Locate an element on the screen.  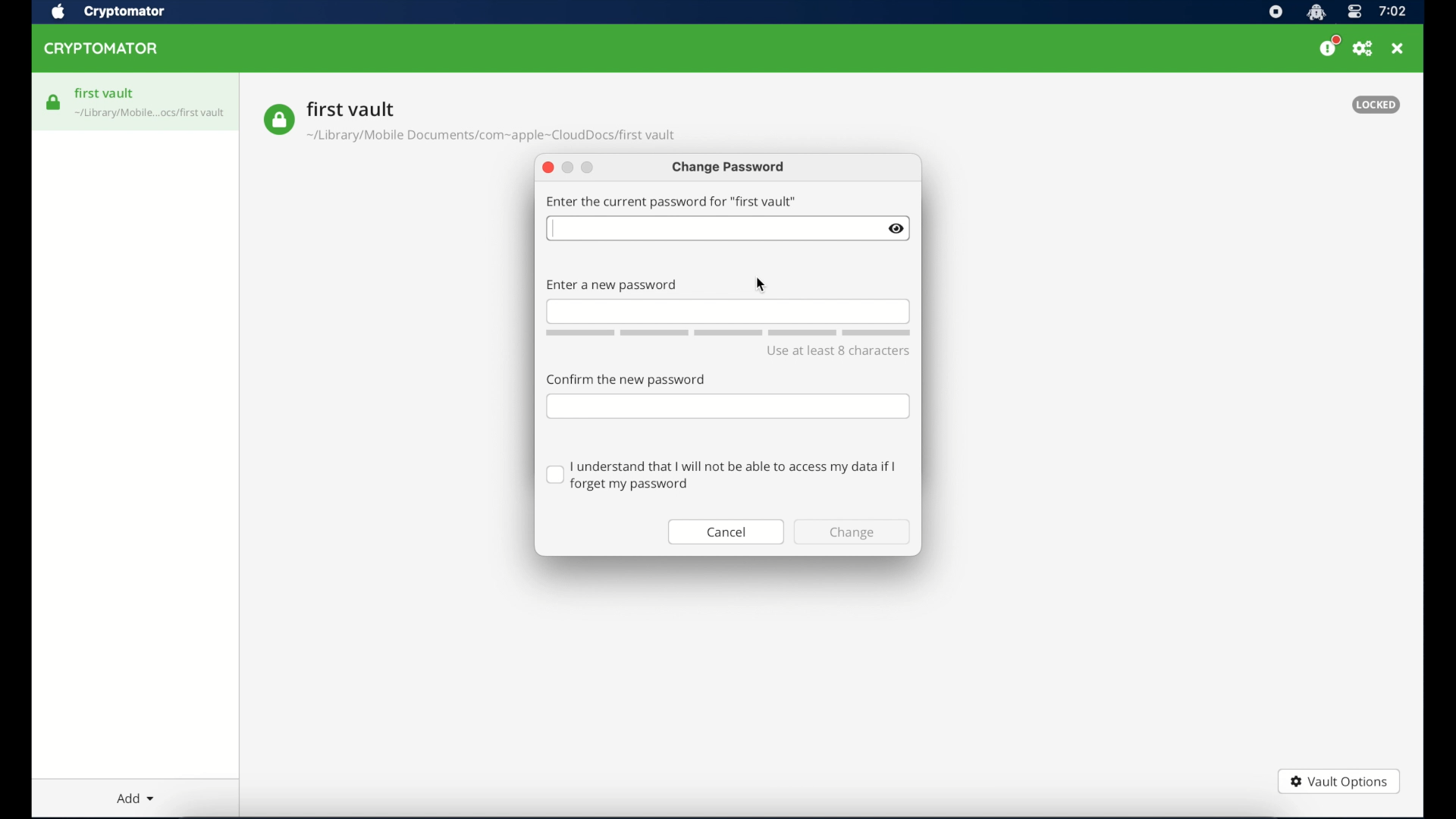
time is located at coordinates (1392, 12).